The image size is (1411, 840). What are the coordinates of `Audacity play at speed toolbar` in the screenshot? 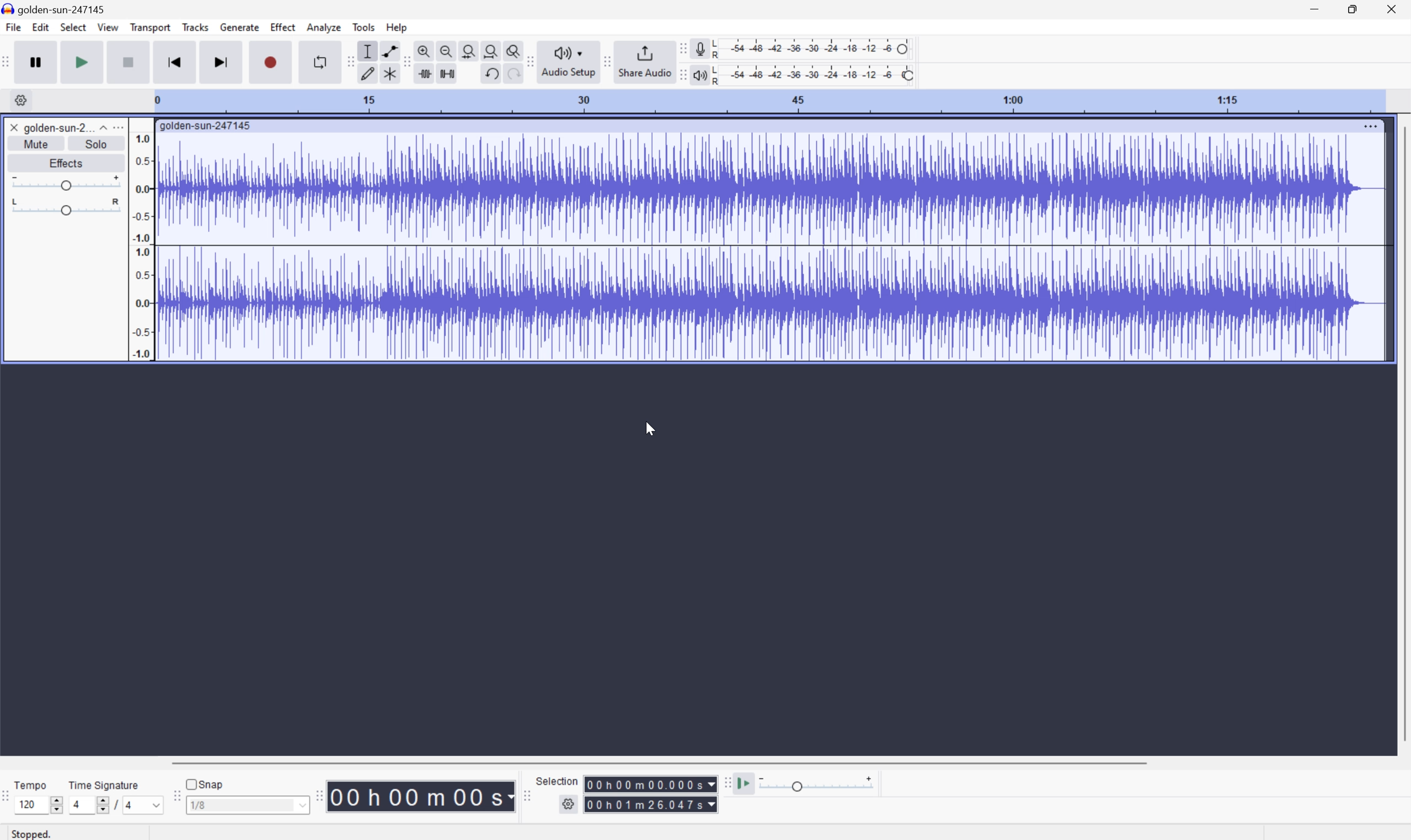 It's located at (726, 784).